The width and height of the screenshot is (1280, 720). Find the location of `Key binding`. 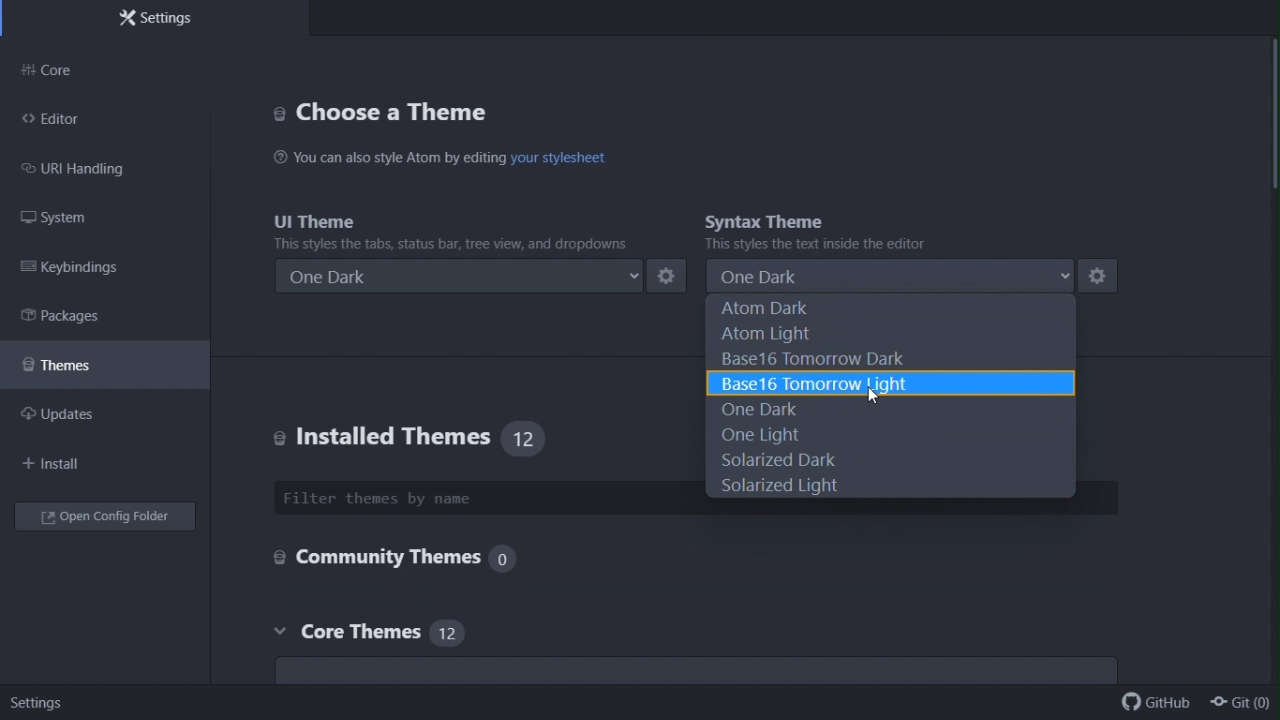

Key binding is located at coordinates (75, 269).